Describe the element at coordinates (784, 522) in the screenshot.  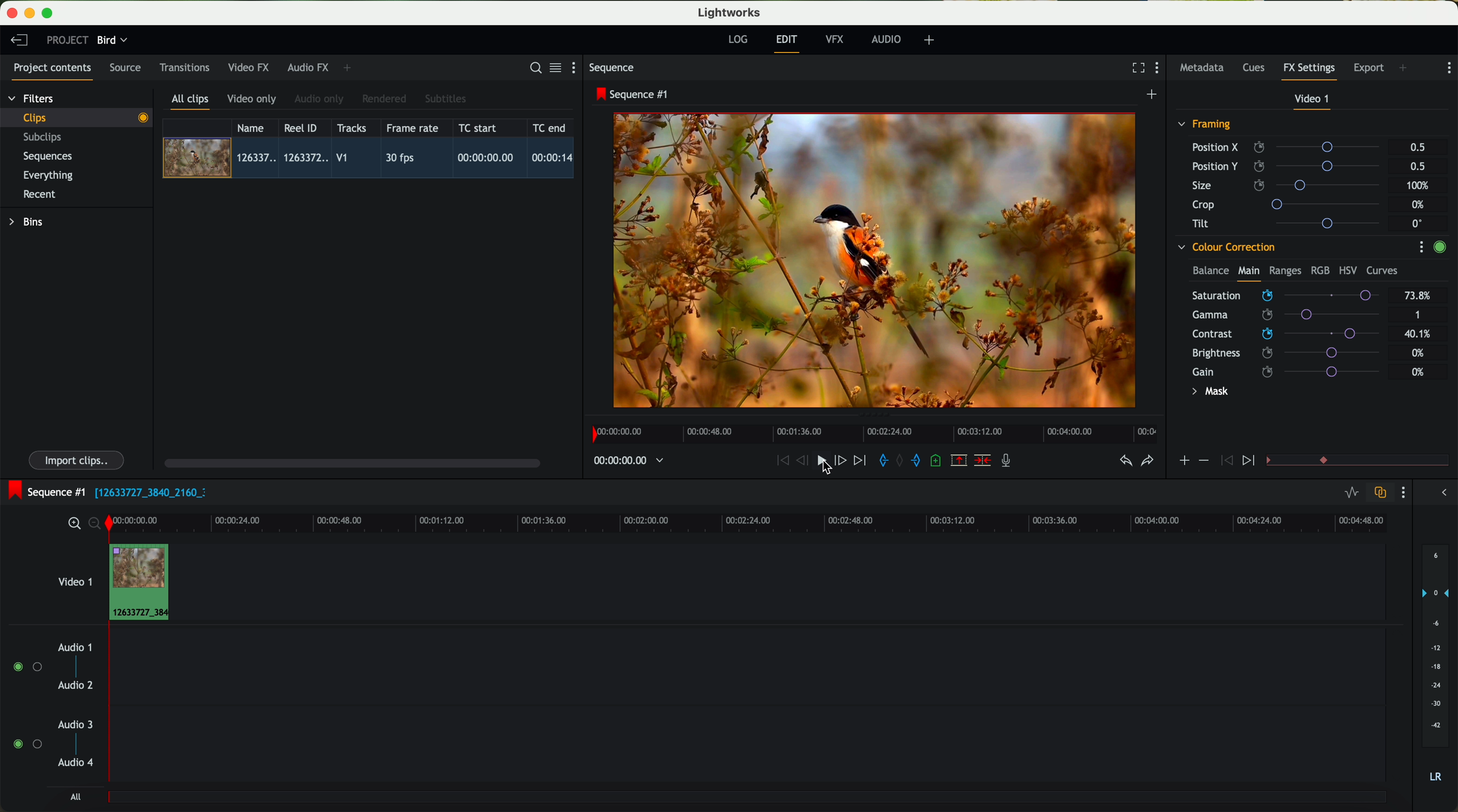
I see `timeline` at that location.